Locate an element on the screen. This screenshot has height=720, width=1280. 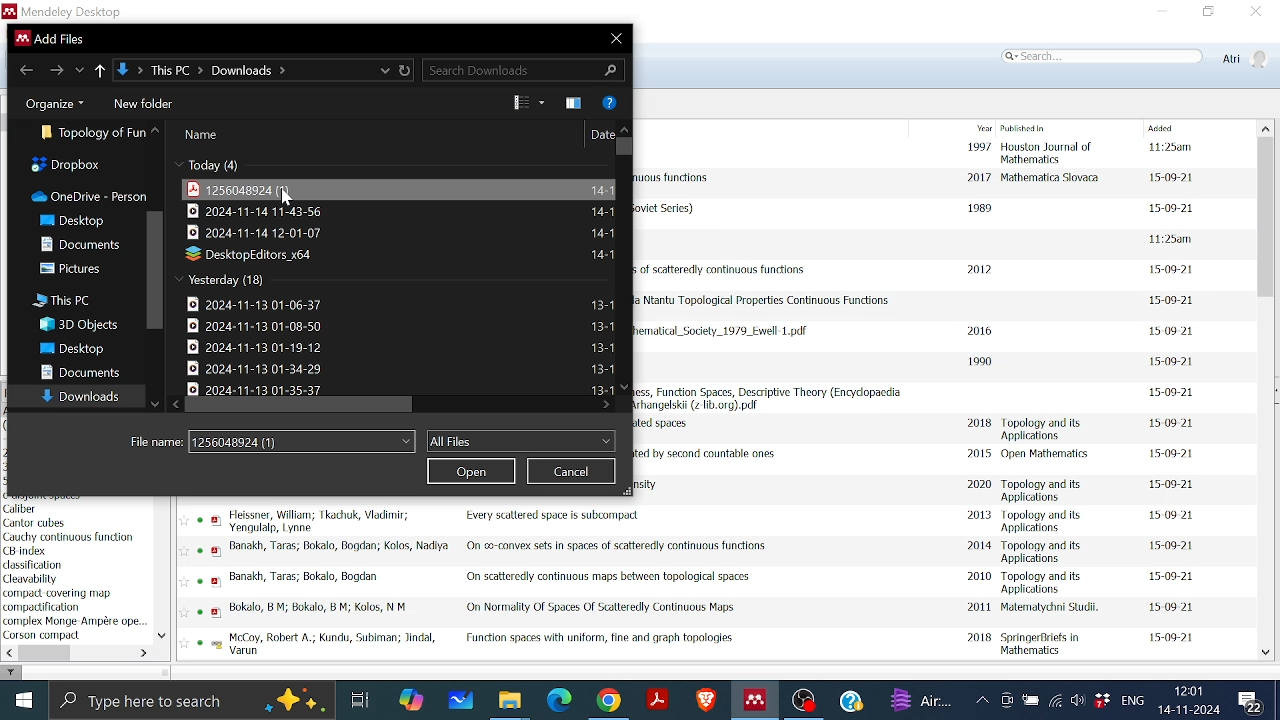
filter is located at coordinates (11, 673).